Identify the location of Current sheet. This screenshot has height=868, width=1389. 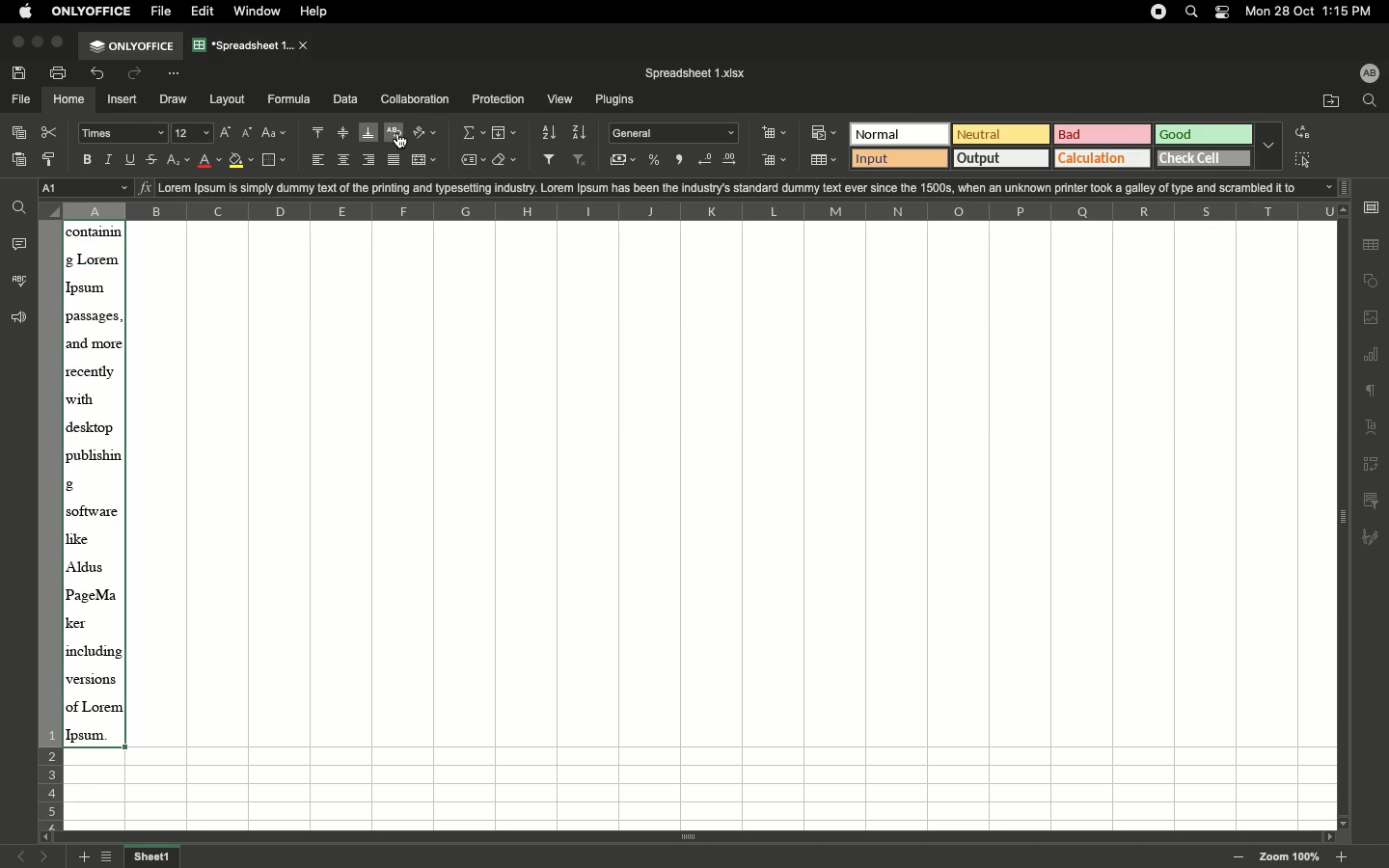
(154, 856).